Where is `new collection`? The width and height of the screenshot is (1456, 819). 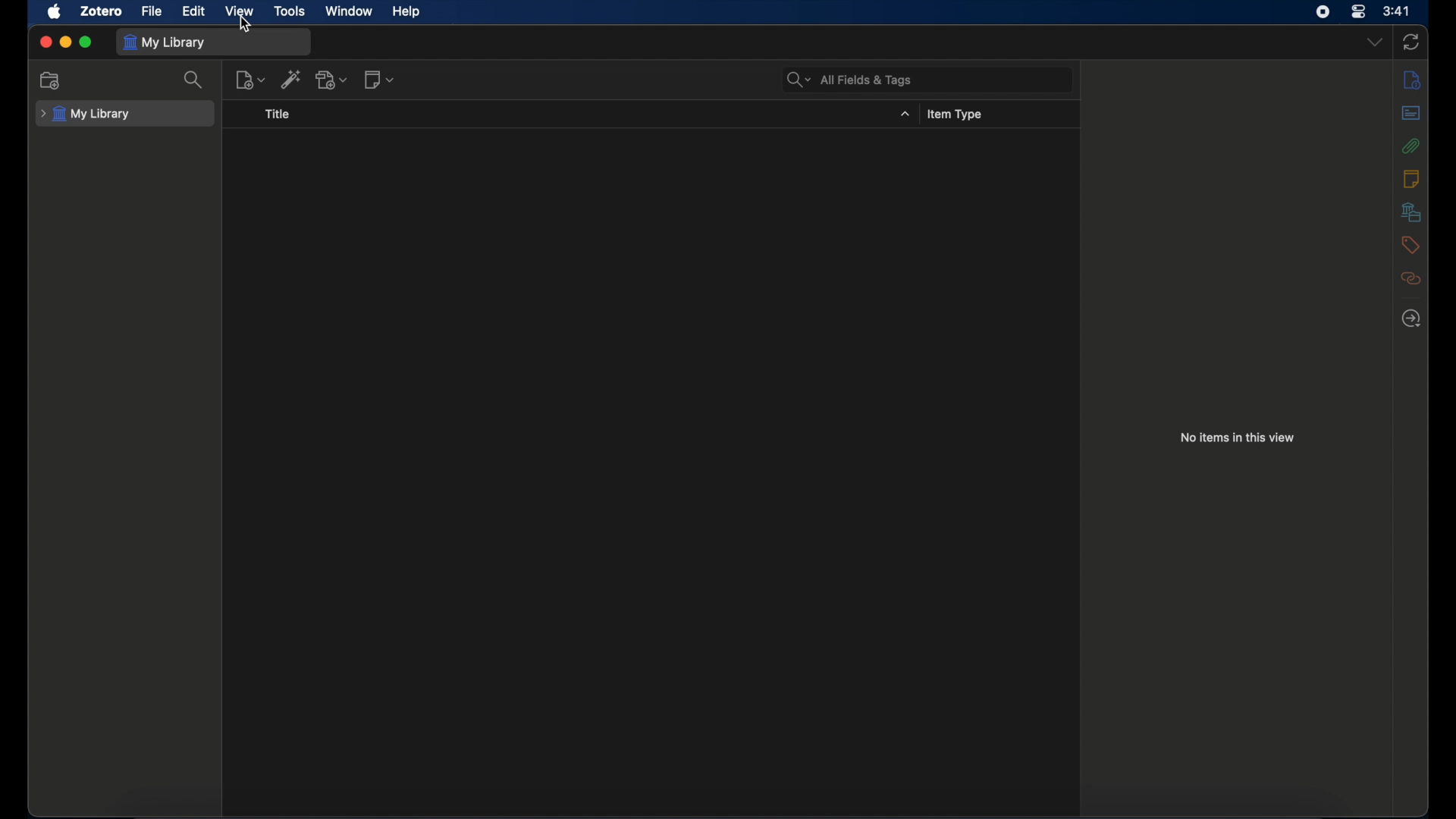
new collection is located at coordinates (52, 81).